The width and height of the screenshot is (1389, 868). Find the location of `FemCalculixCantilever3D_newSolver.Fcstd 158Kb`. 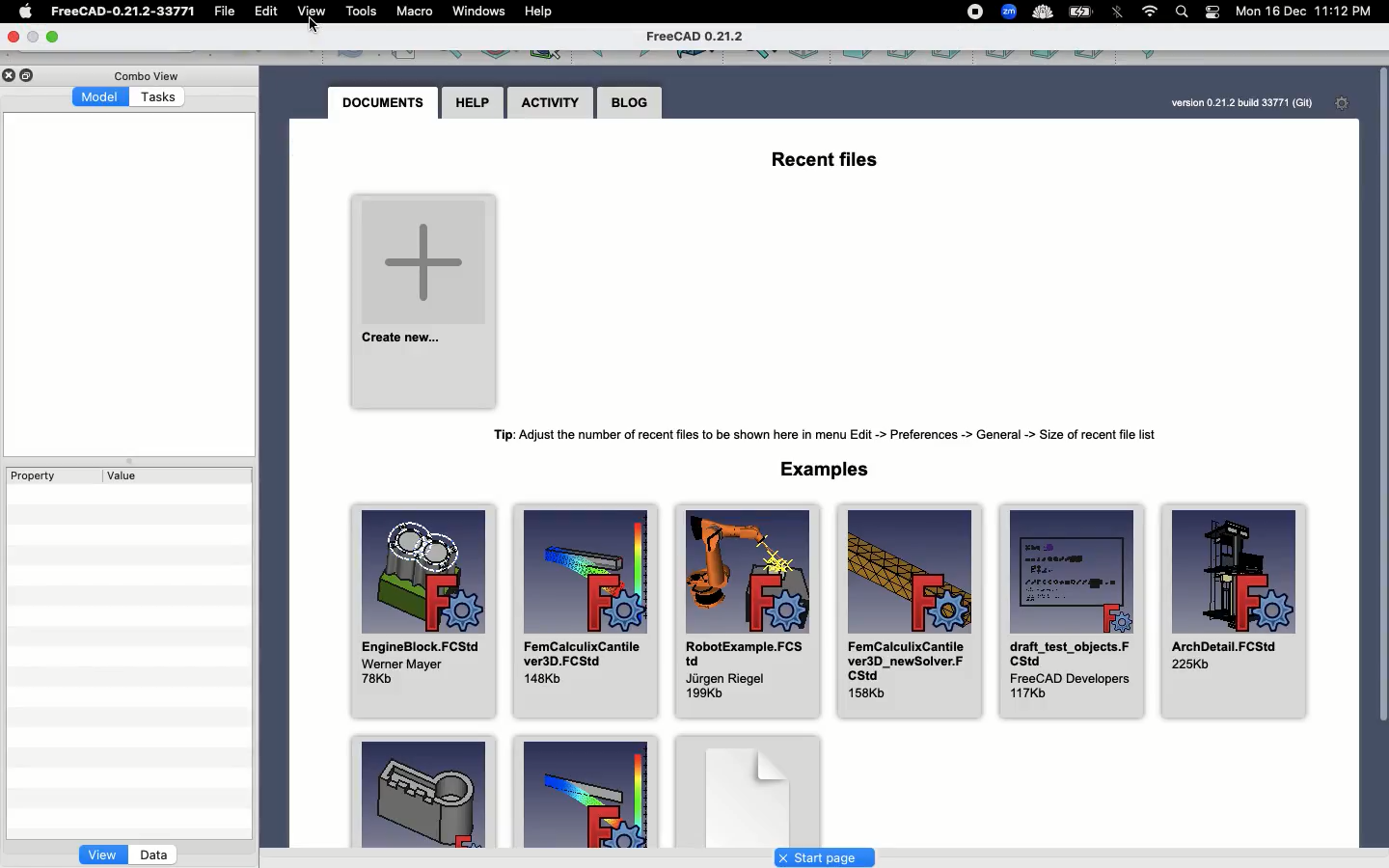

FemCalculixCantilever3D_newSolver.Fcstd 158Kb is located at coordinates (912, 612).